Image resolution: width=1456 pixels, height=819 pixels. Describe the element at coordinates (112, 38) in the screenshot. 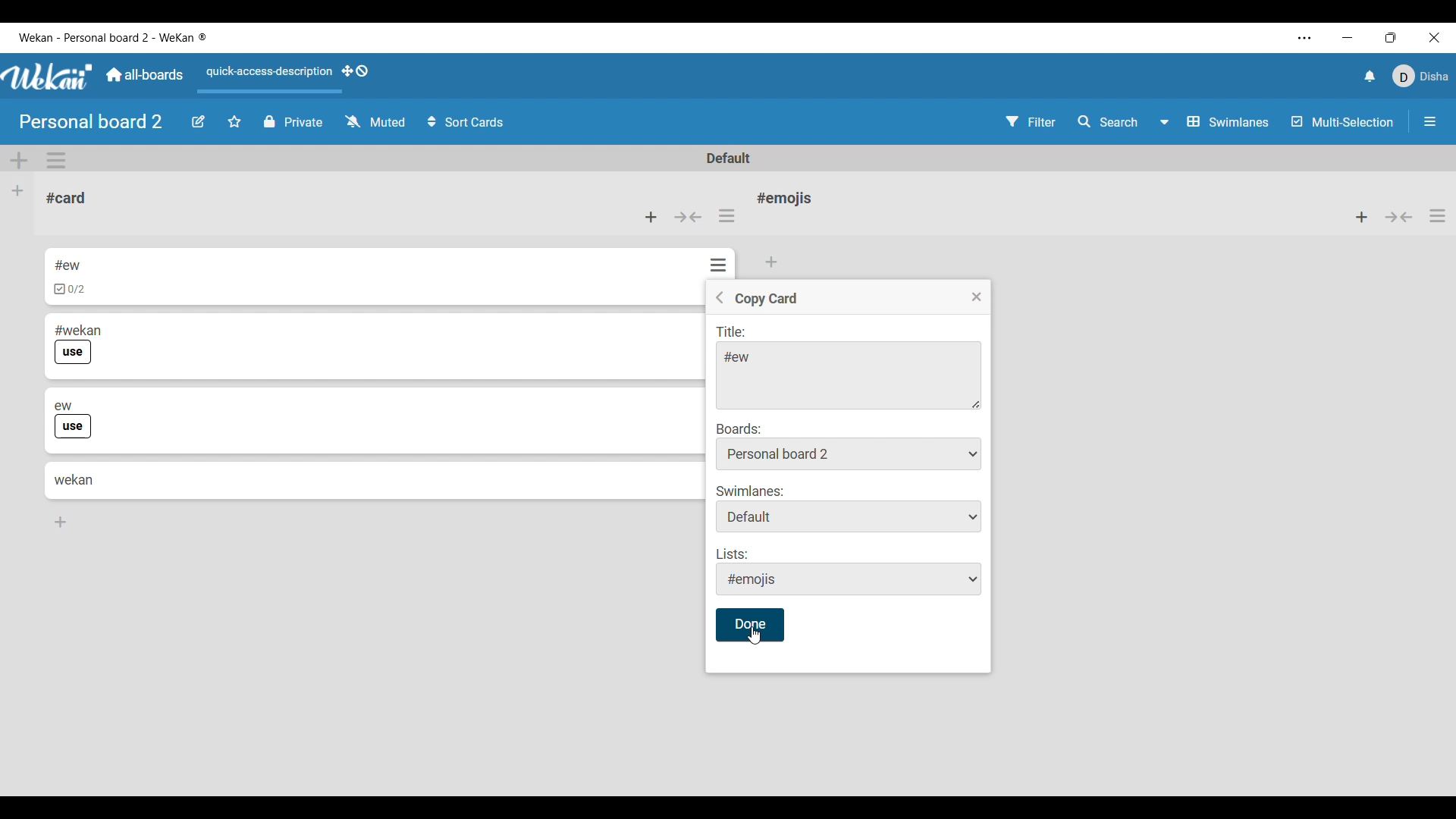

I see `Software name and board name` at that location.